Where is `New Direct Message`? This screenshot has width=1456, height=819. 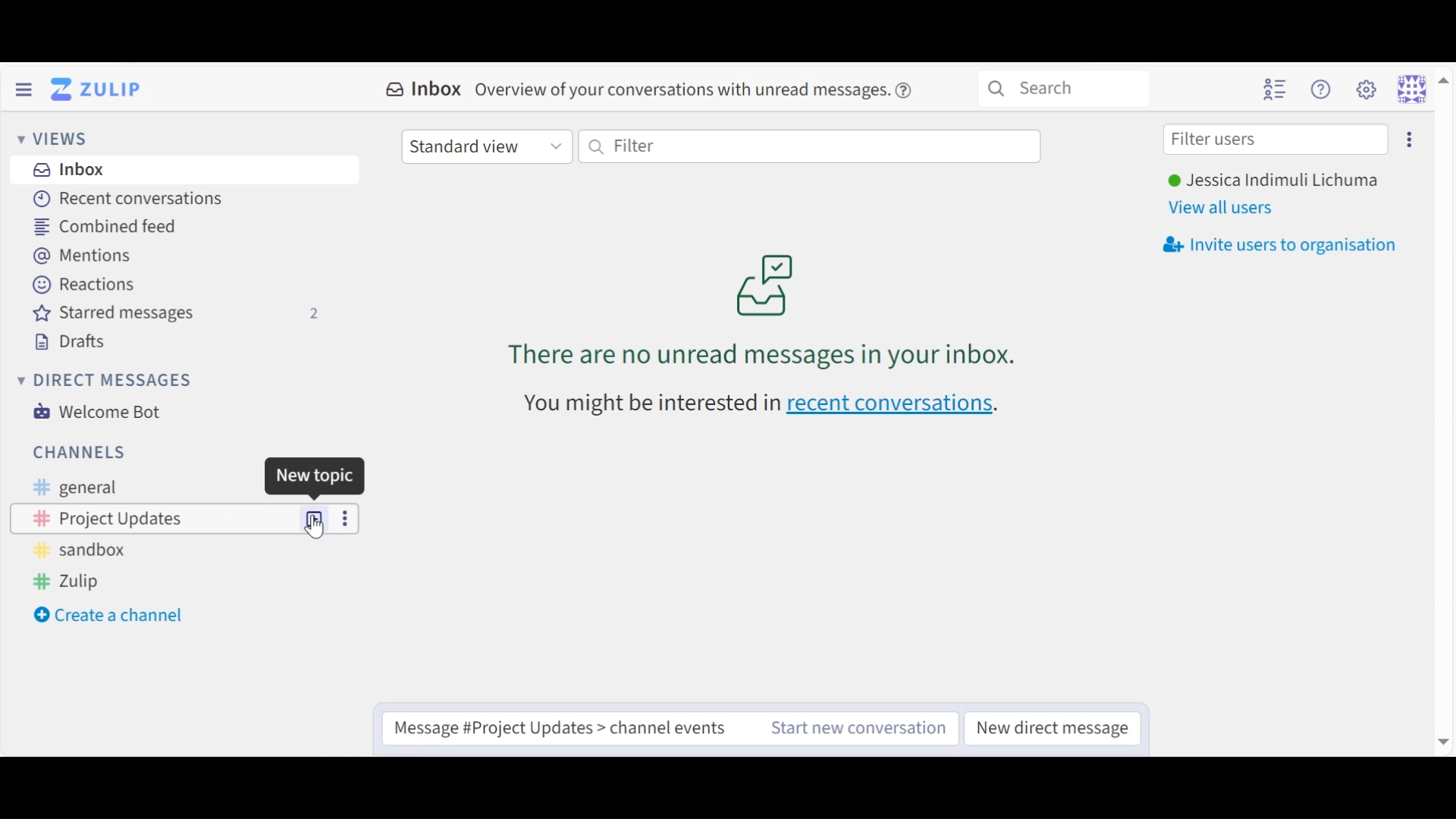 New Direct Message is located at coordinates (1054, 728).